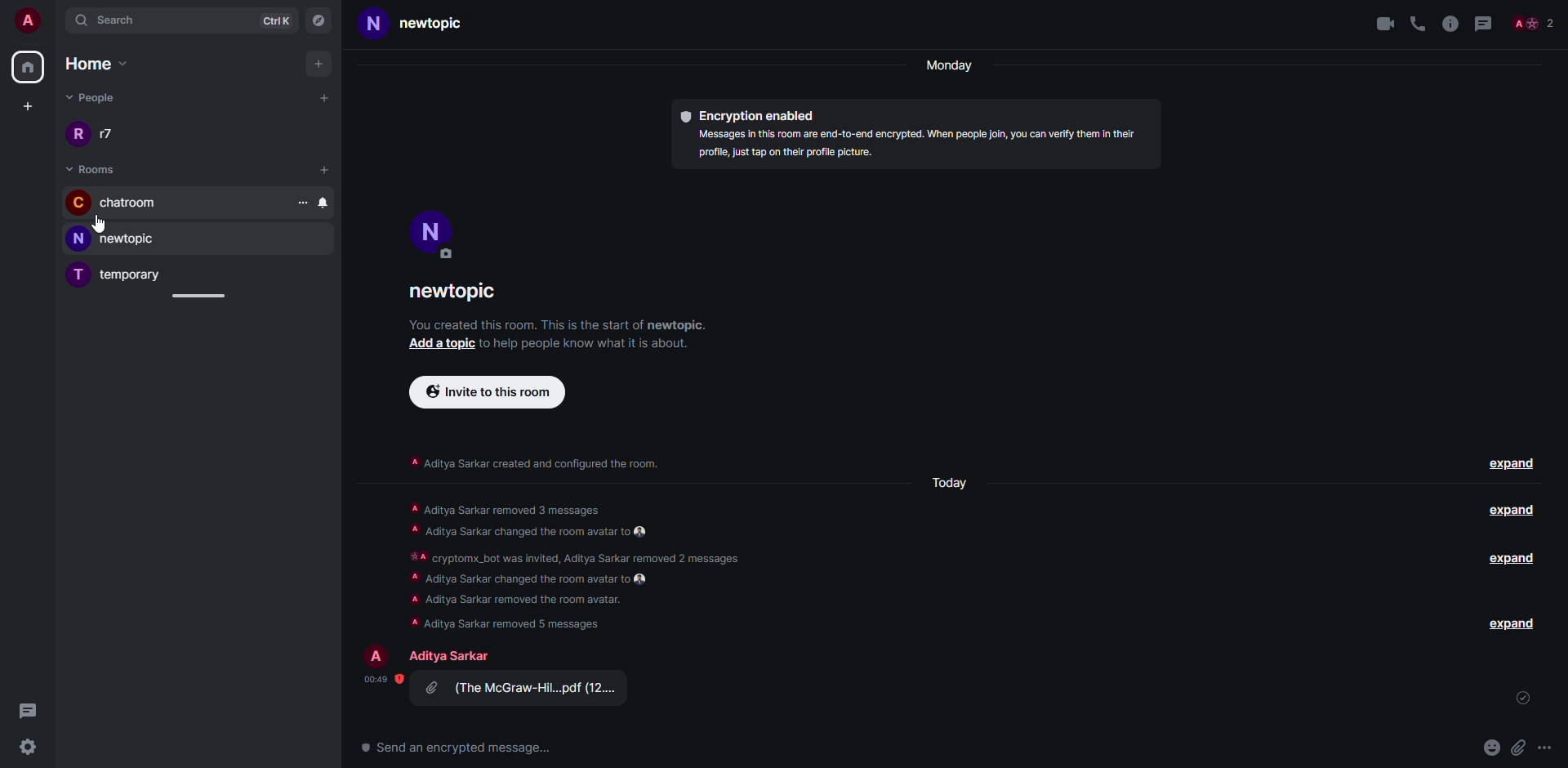  Describe the element at coordinates (431, 230) in the screenshot. I see `profile` at that location.